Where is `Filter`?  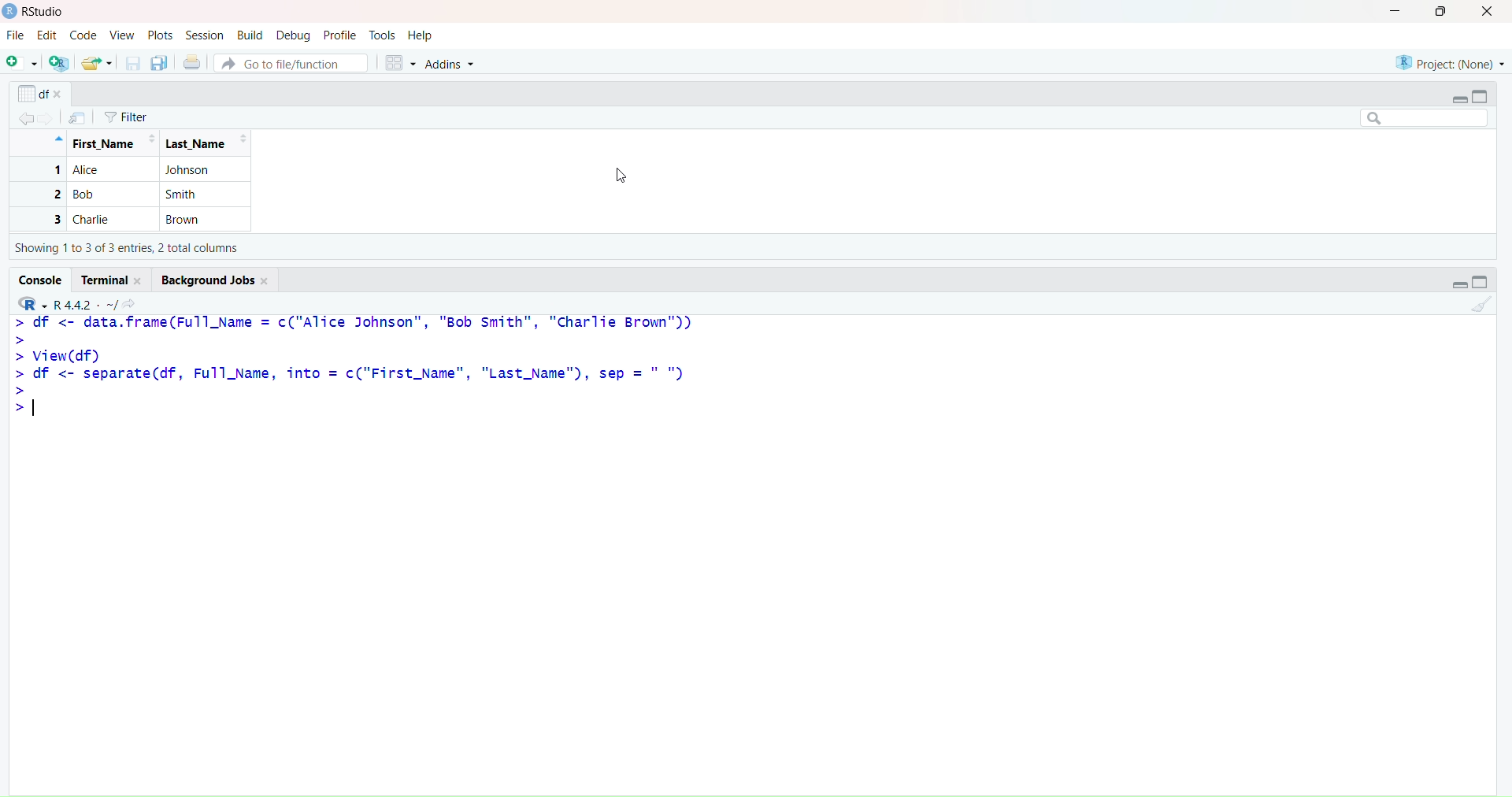
Filter is located at coordinates (127, 117).